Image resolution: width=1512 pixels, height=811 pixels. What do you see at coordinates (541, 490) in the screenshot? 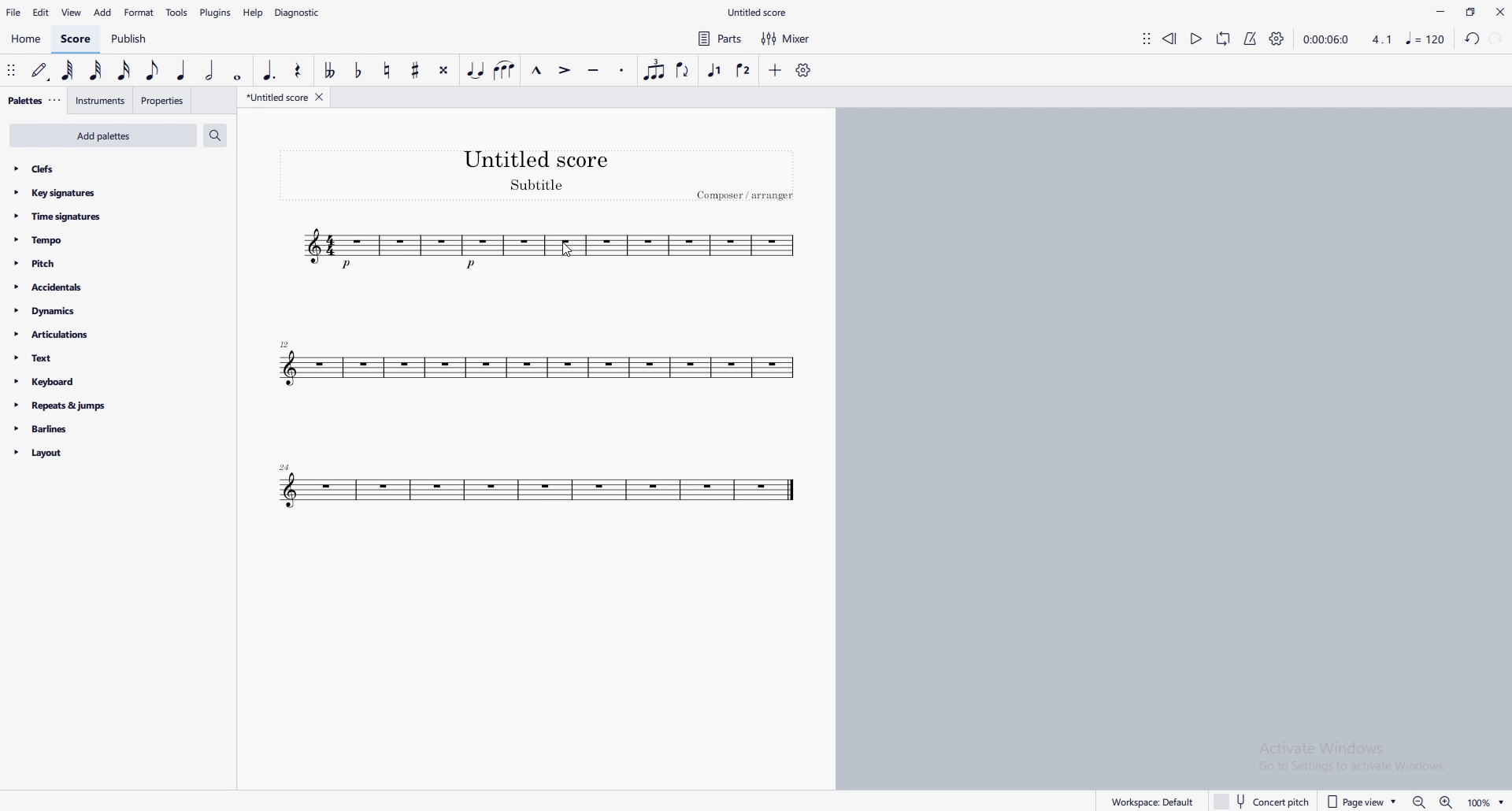
I see `tune` at bounding box center [541, 490].